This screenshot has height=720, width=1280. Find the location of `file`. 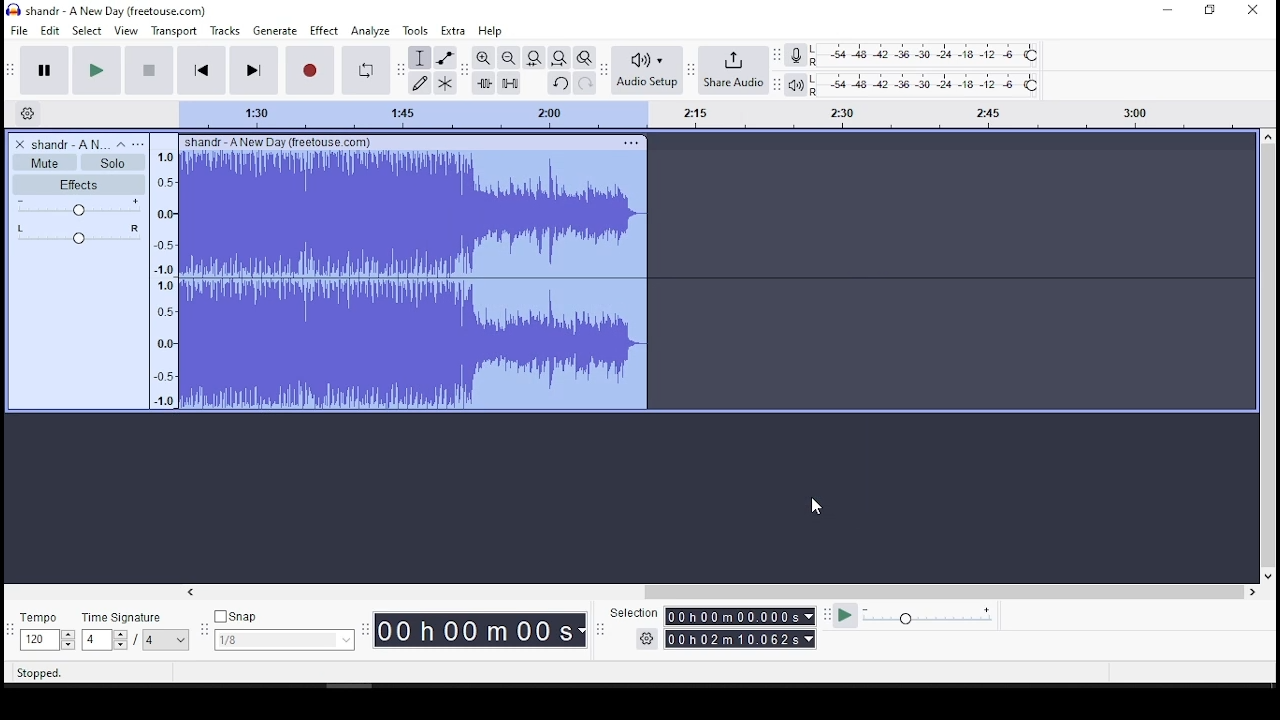

file is located at coordinates (18, 30).